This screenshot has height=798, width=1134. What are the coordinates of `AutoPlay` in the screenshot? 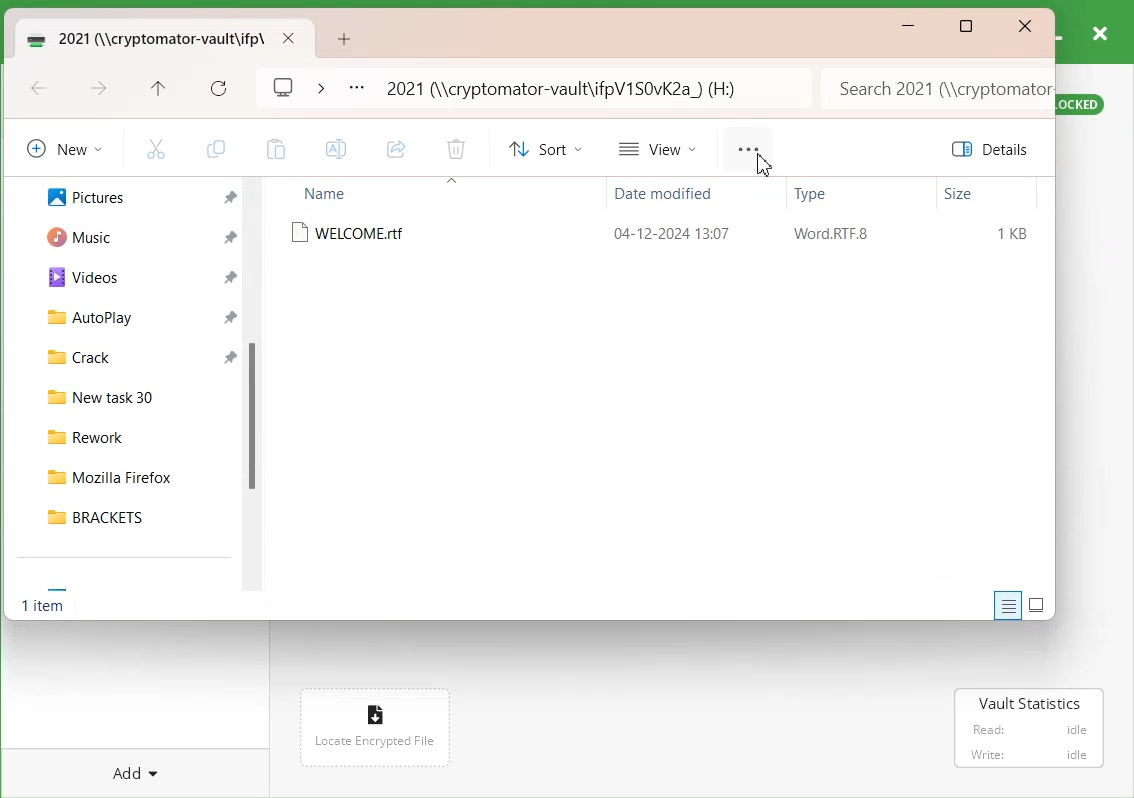 It's located at (80, 317).